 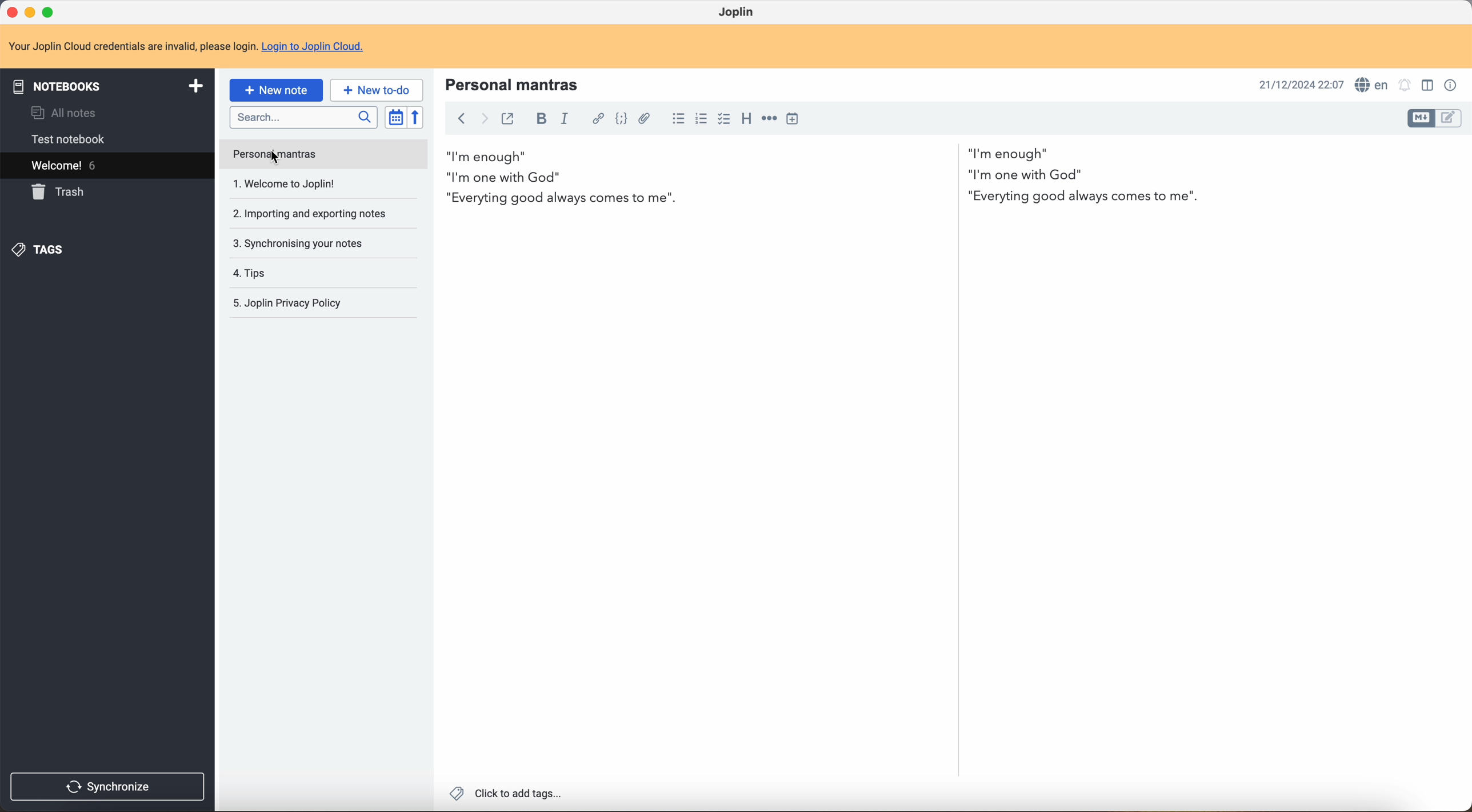 What do you see at coordinates (301, 186) in the screenshot?
I see `welcome to Joplin note` at bounding box center [301, 186].